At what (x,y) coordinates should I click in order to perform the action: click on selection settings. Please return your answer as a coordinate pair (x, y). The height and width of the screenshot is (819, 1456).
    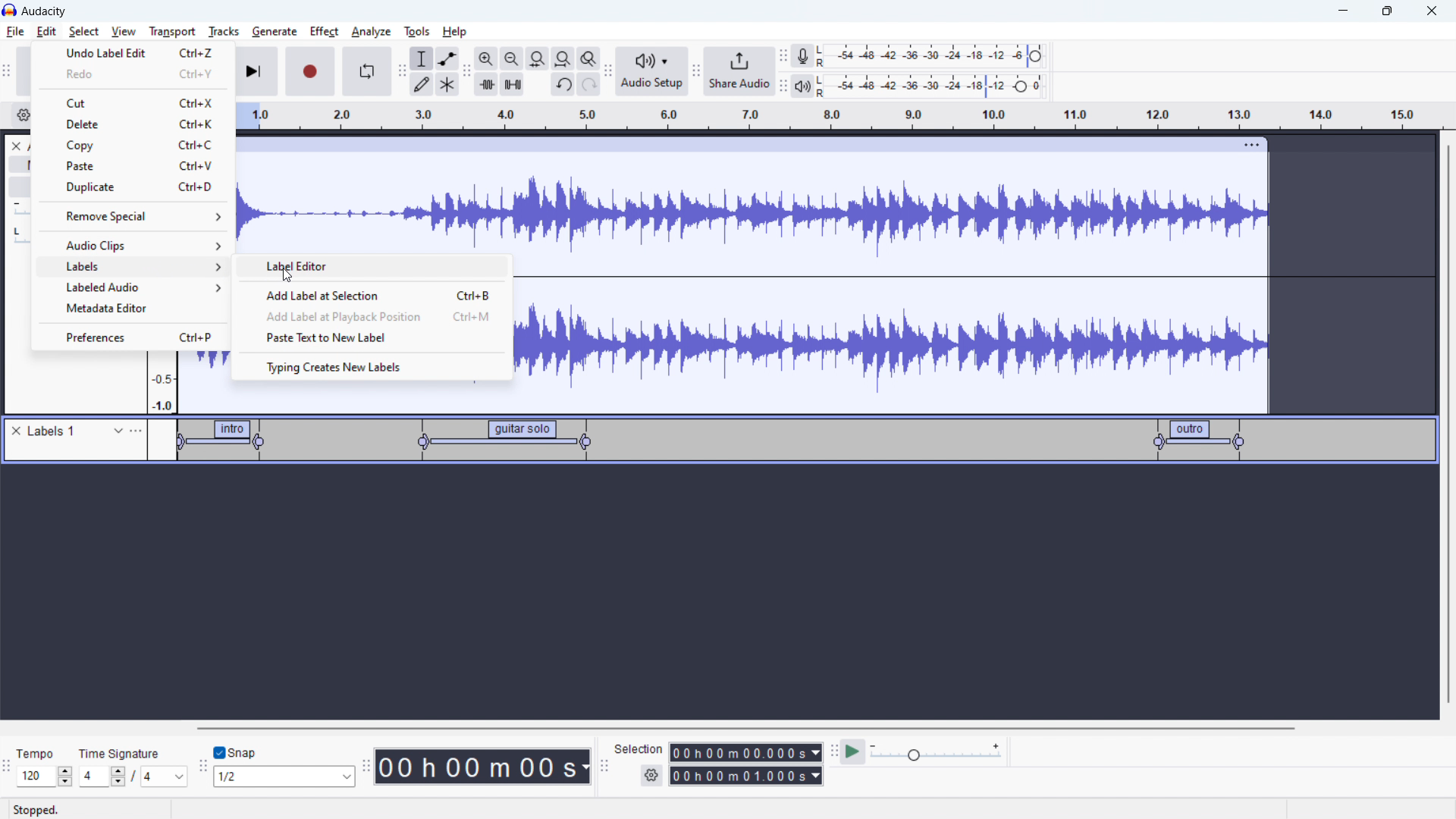
    Looking at the image, I should click on (652, 776).